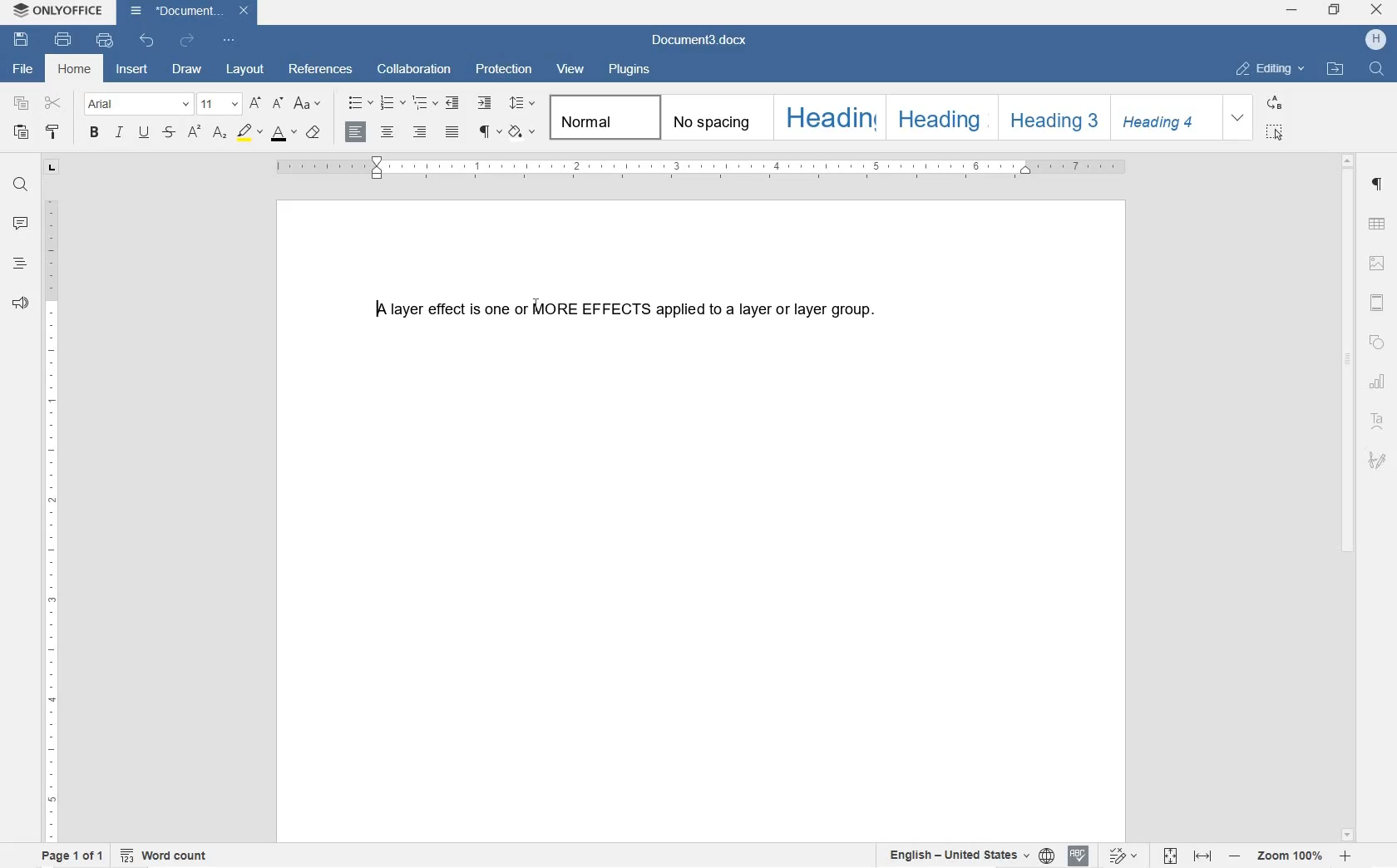 The height and width of the screenshot is (868, 1397). I want to click on LAYOUT, so click(245, 68).